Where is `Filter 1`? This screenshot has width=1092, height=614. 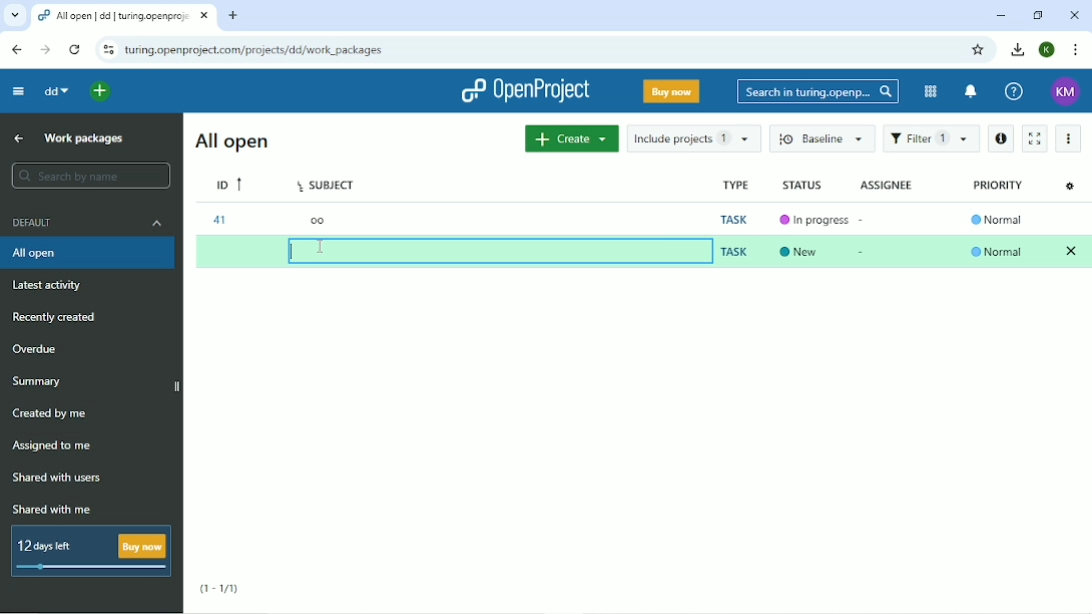 Filter 1 is located at coordinates (931, 139).